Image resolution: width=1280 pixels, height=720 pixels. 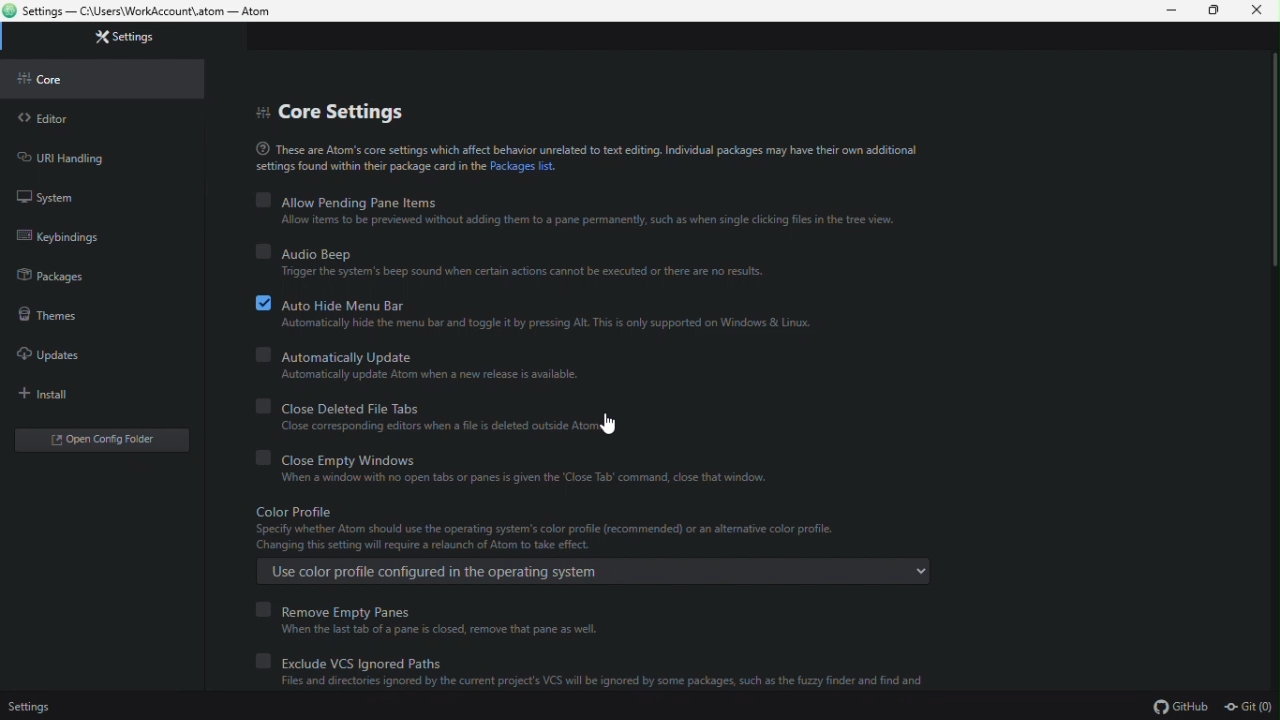 What do you see at coordinates (79, 192) in the screenshot?
I see `System` at bounding box center [79, 192].